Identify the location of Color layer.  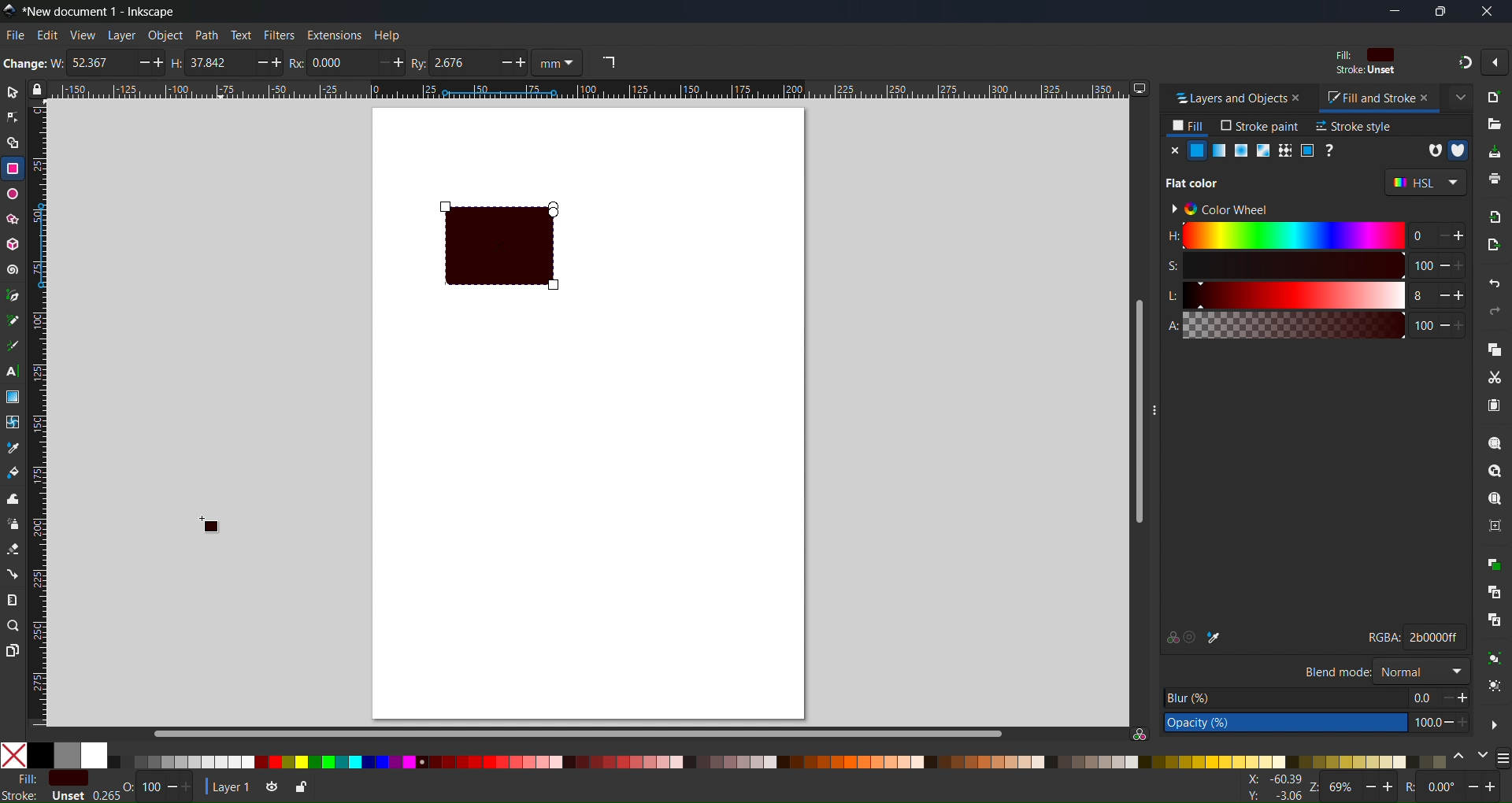
(779, 761).